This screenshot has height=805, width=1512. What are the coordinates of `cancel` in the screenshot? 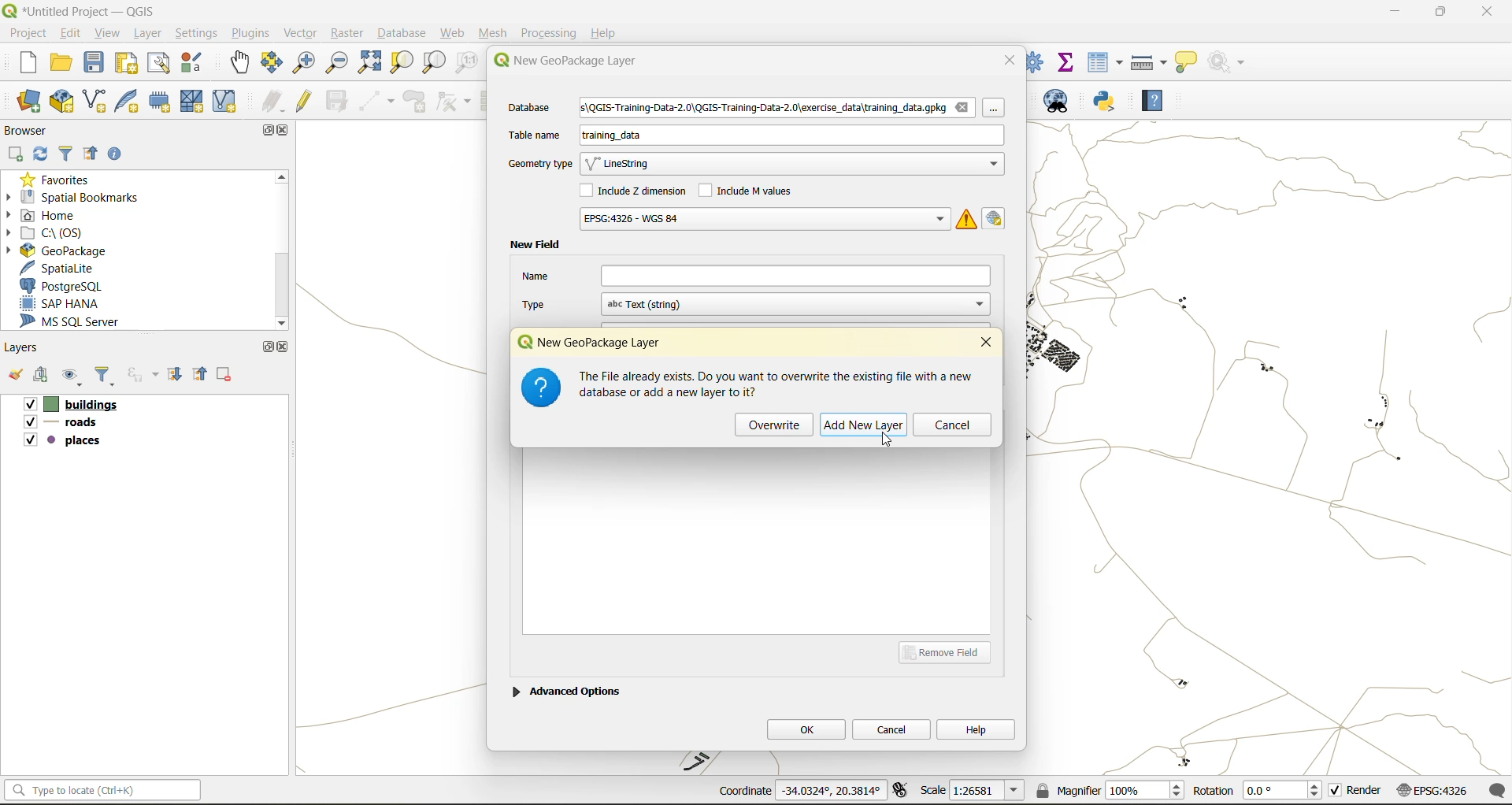 It's located at (893, 728).